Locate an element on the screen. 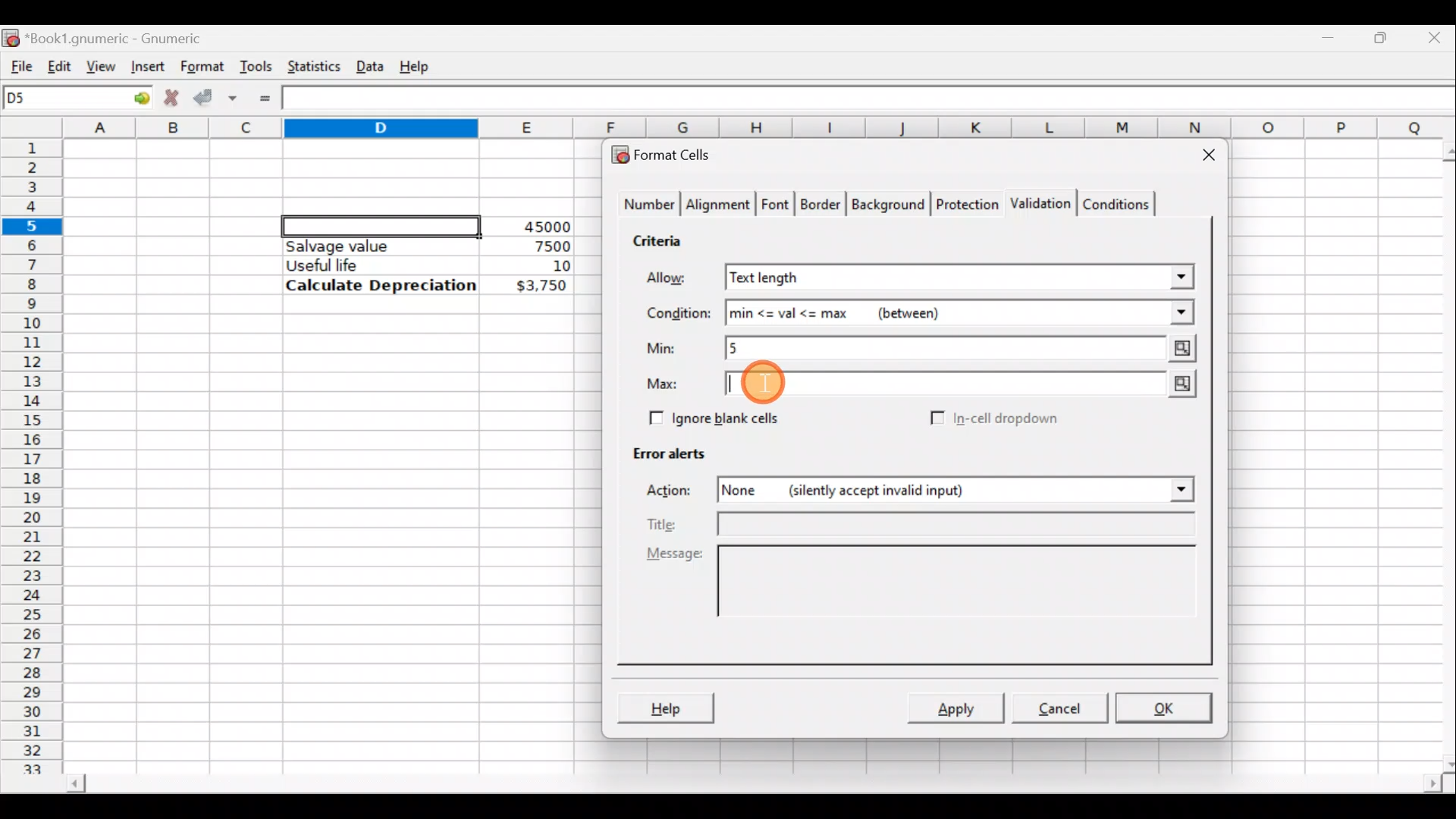  Error alerts is located at coordinates (661, 450).